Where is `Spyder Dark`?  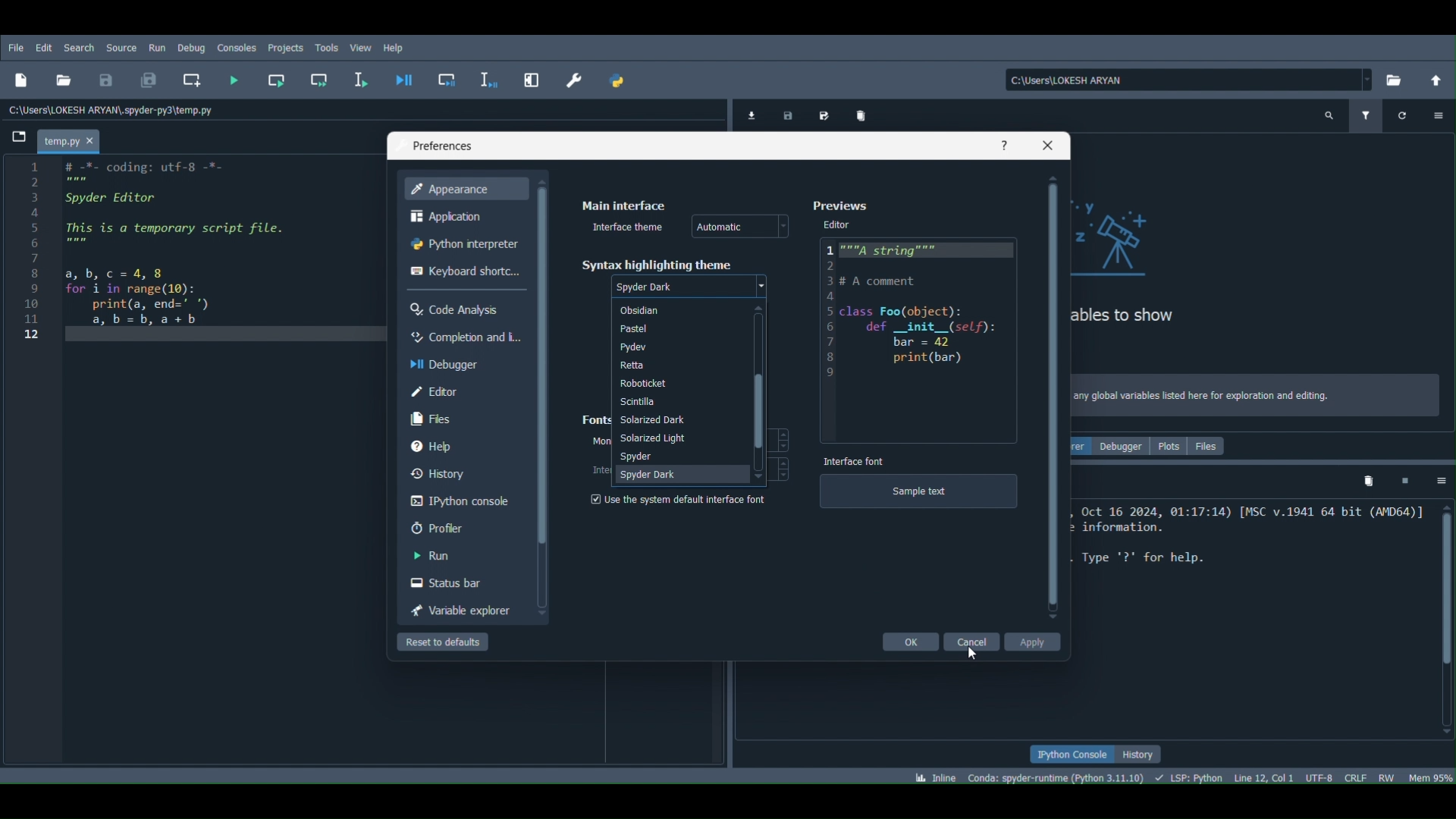
Spyder Dark is located at coordinates (681, 475).